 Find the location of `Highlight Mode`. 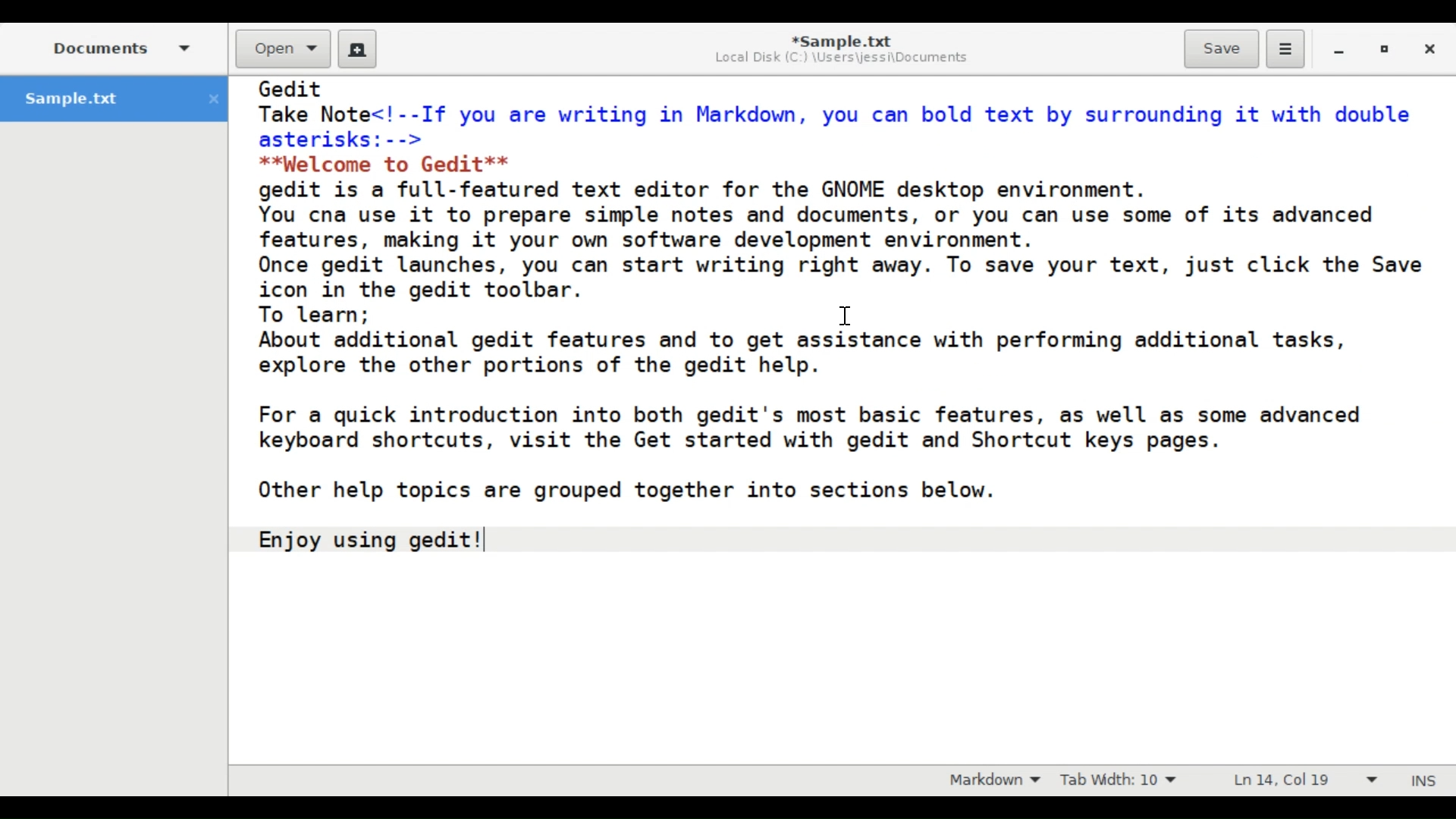

Highlight Mode is located at coordinates (996, 780).